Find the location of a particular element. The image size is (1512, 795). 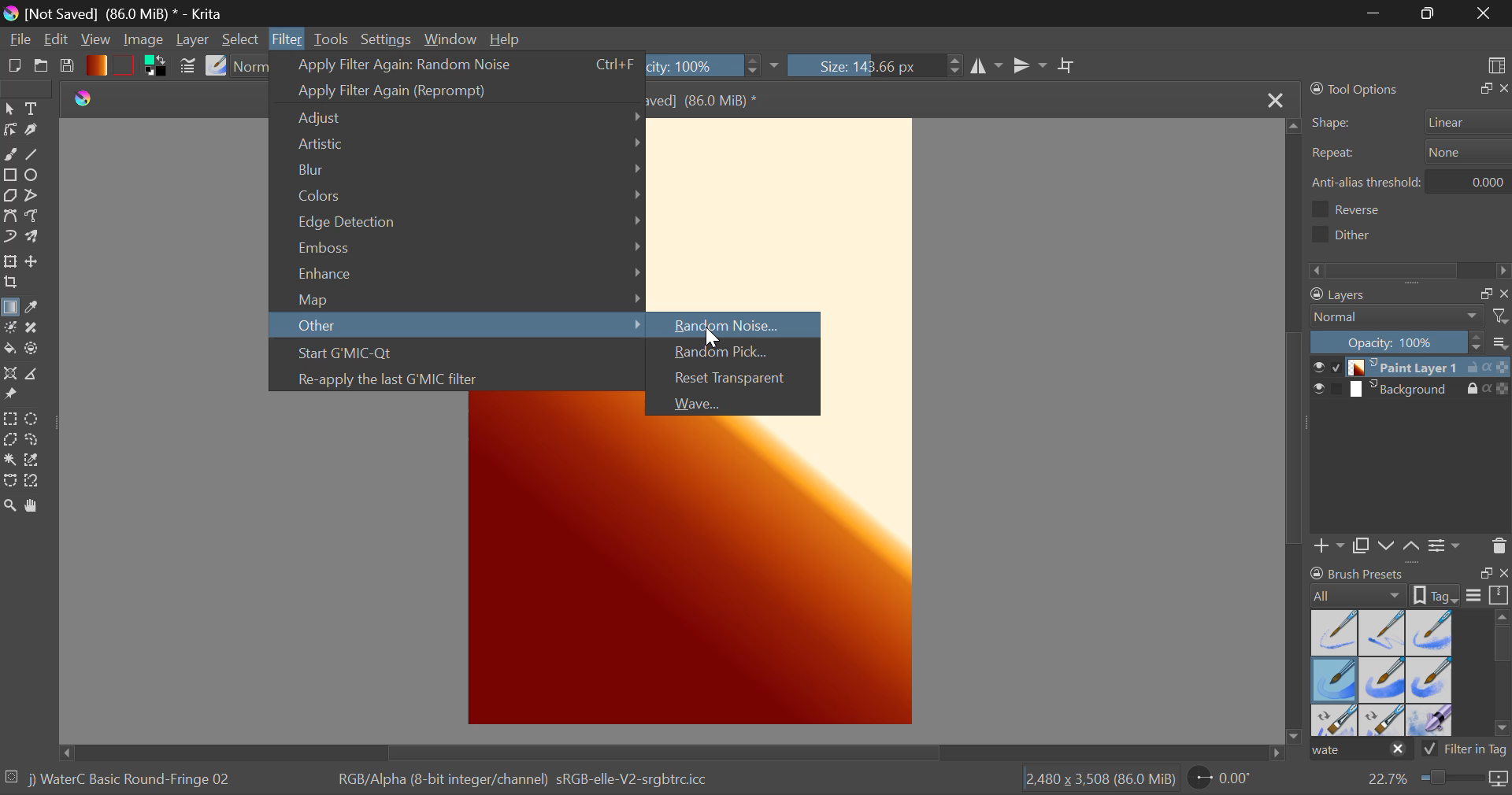

Circular Selection is located at coordinates (33, 418).